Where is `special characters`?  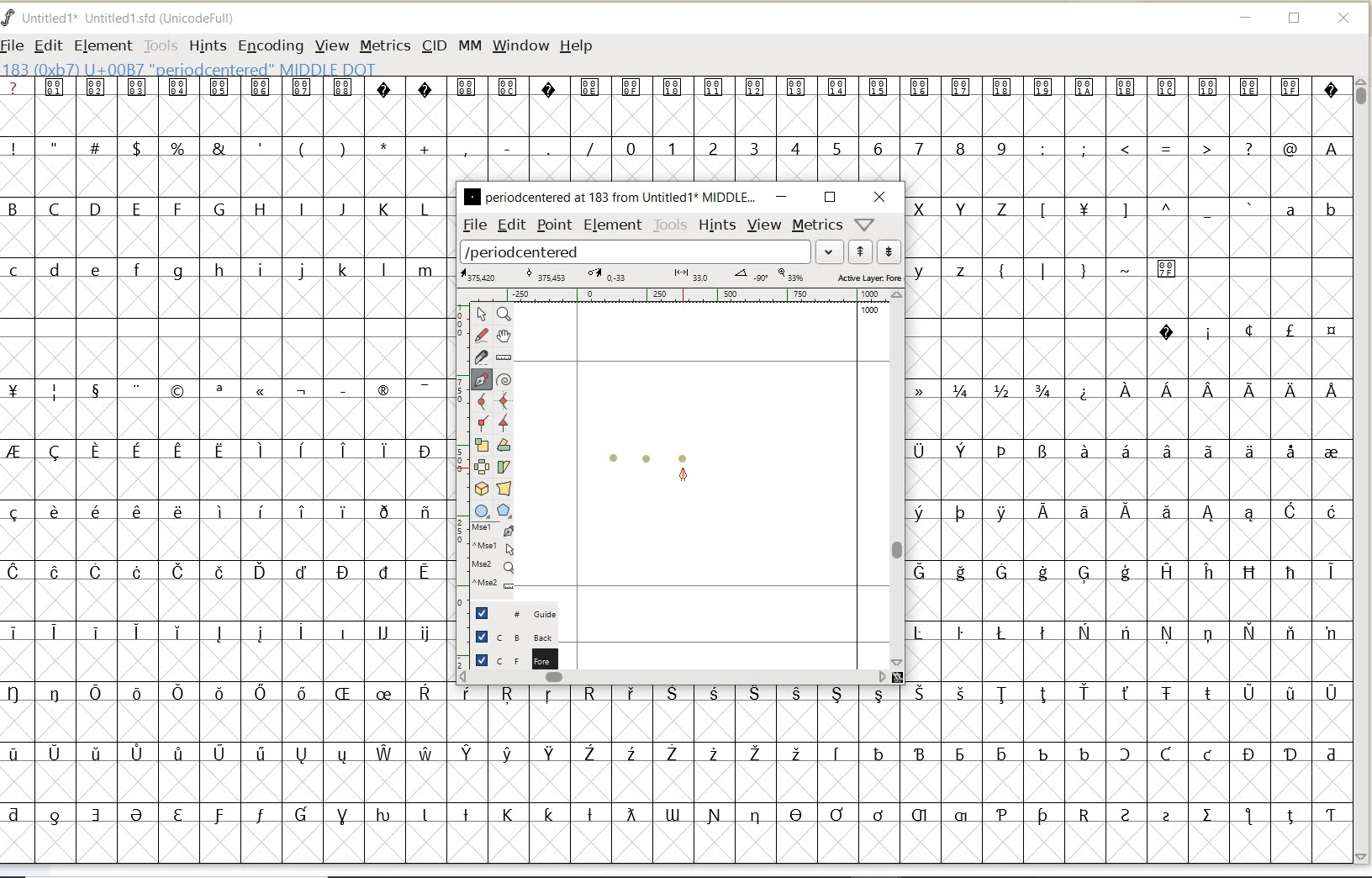 special characters is located at coordinates (895, 761).